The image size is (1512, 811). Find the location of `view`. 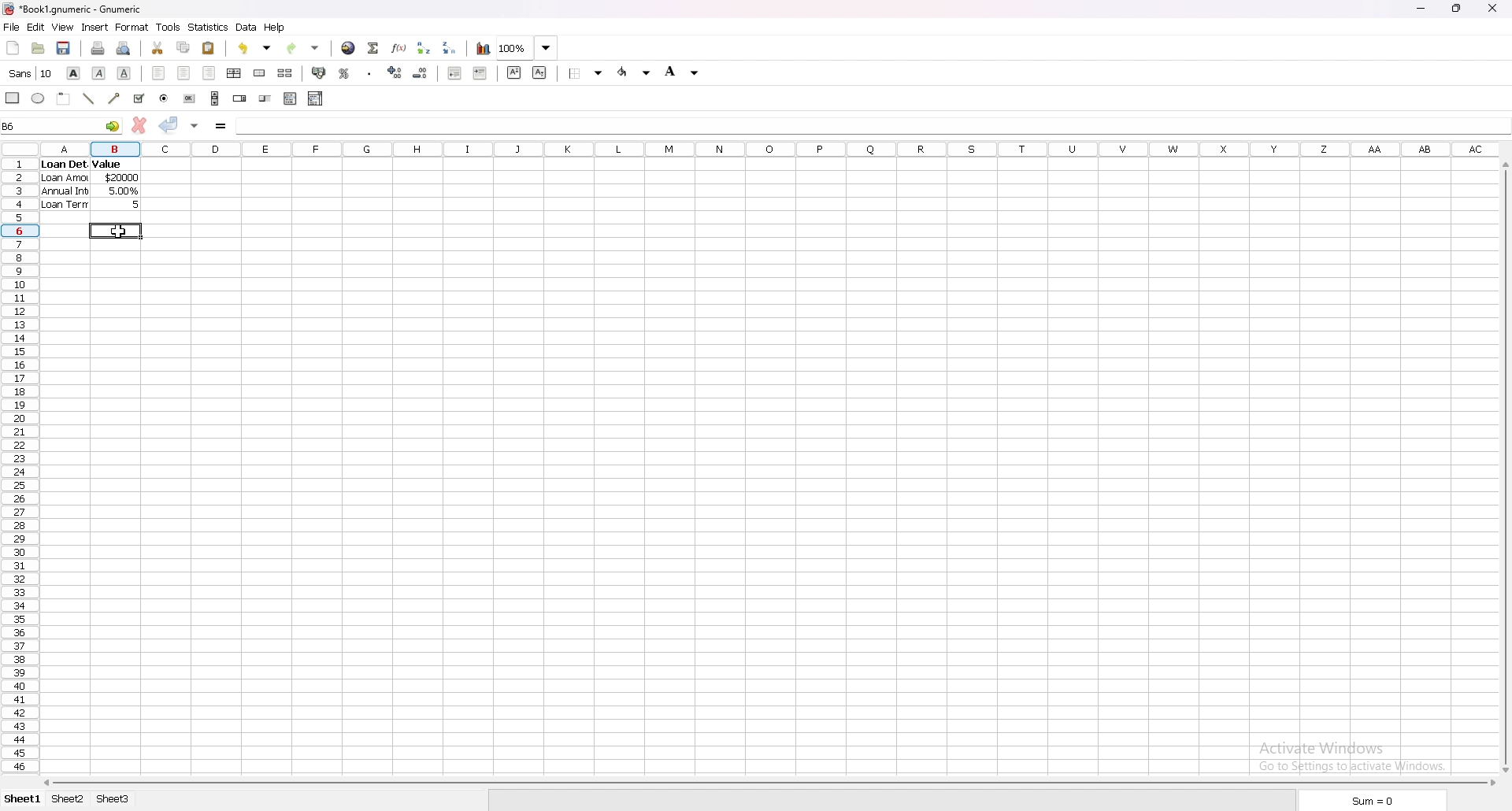

view is located at coordinates (64, 27).